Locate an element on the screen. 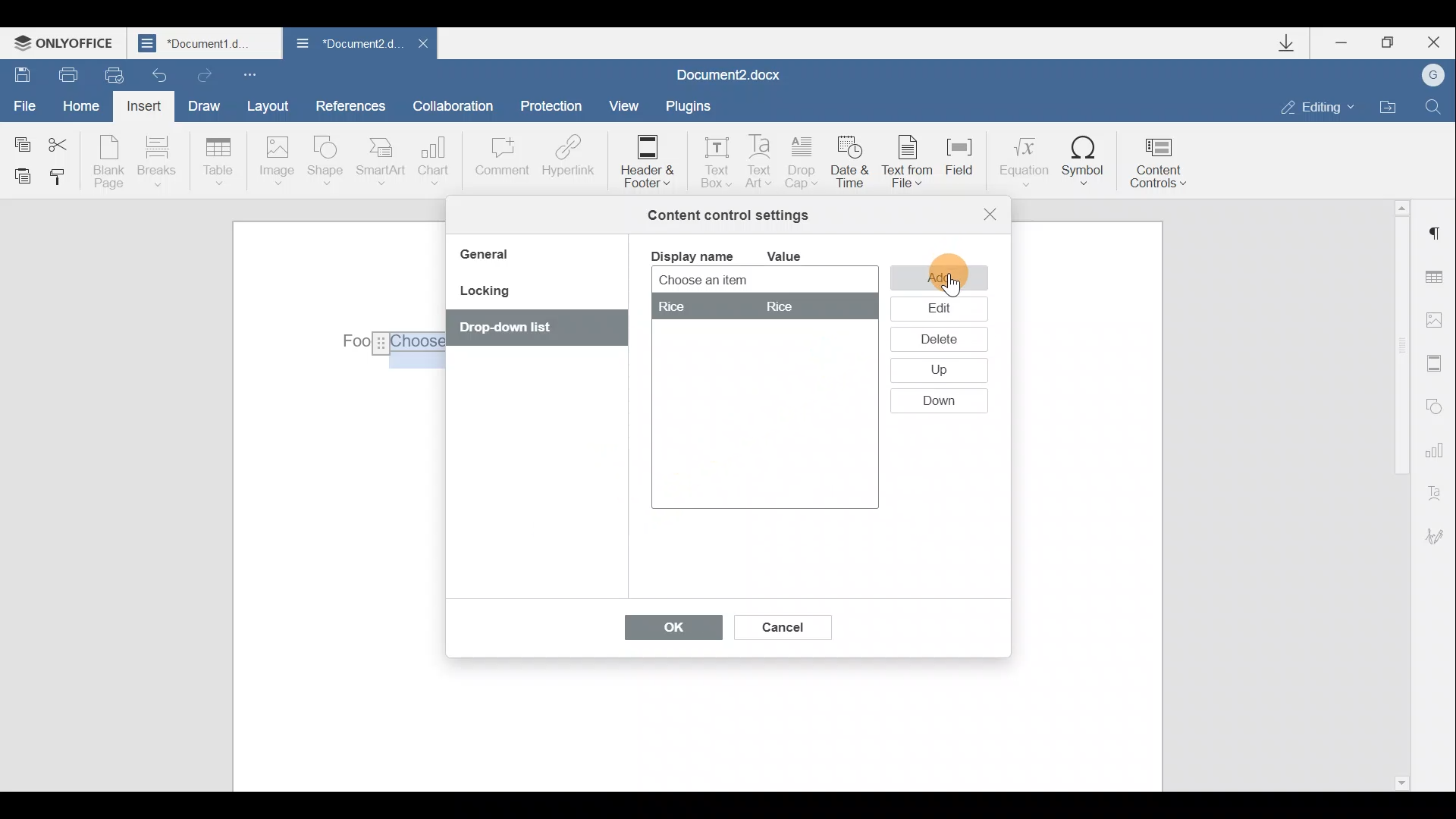  Shapes settings is located at coordinates (1435, 404).